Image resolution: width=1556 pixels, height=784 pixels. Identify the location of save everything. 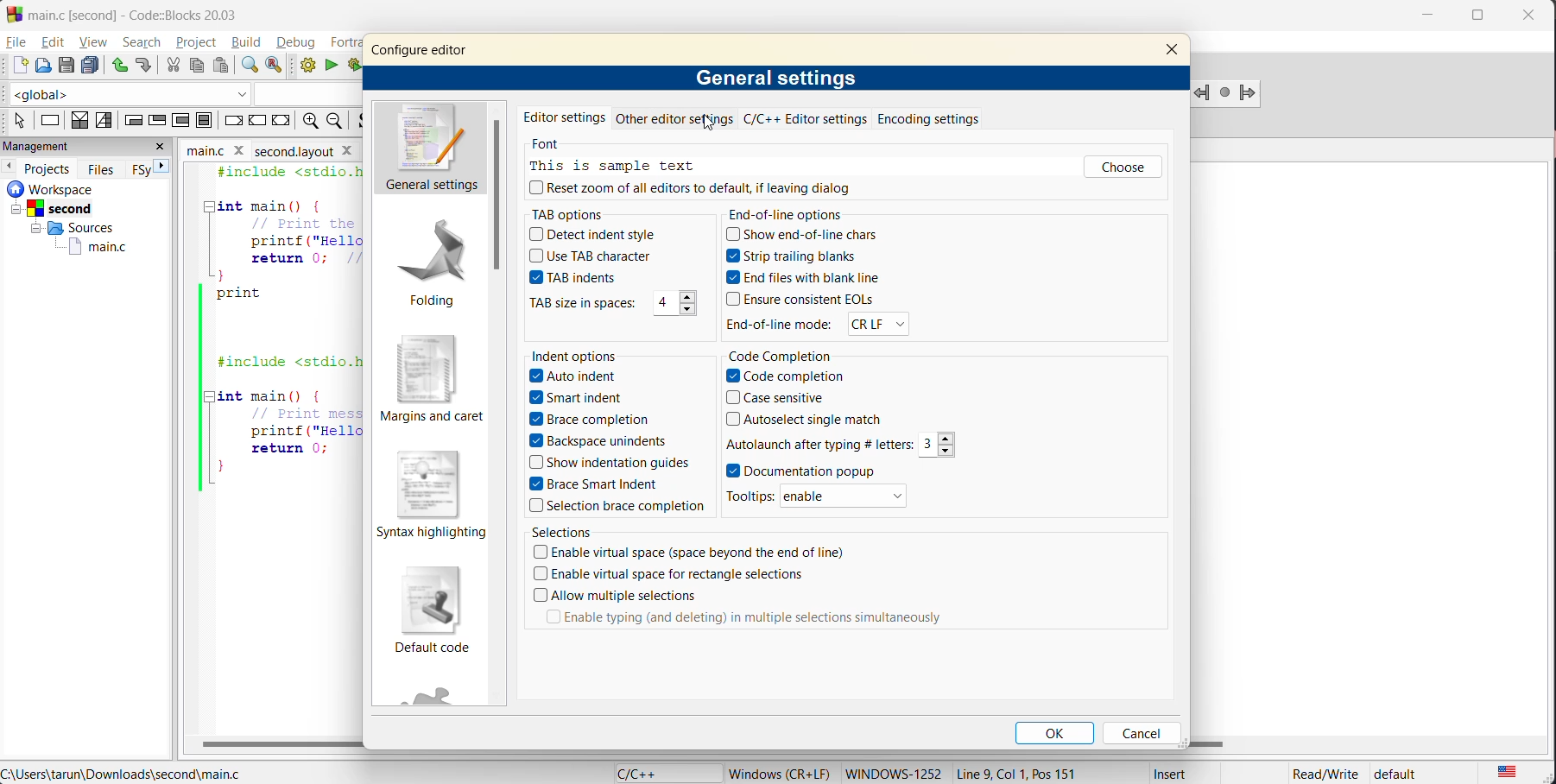
(92, 66).